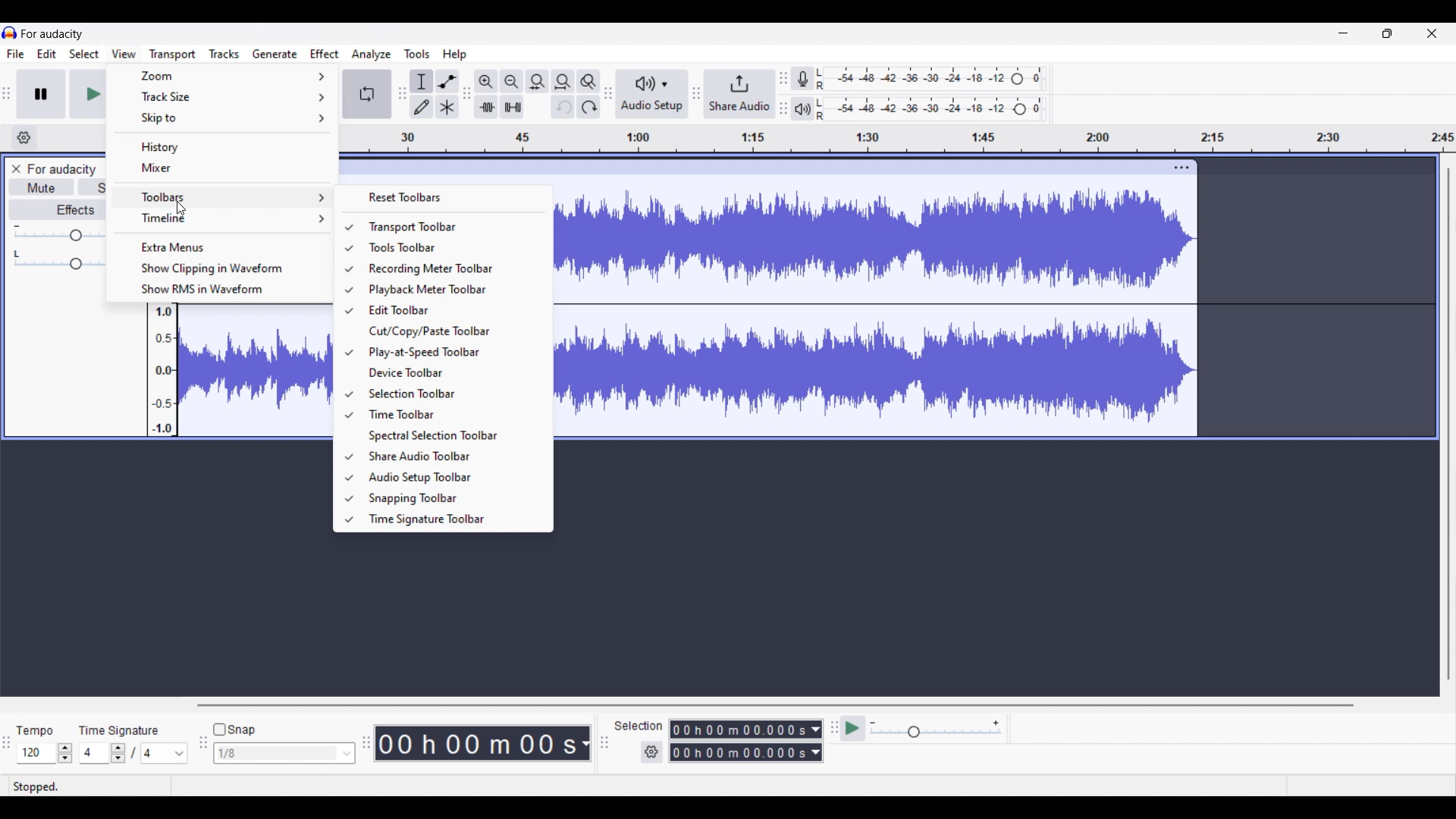  Describe the element at coordinates (86, 94) in the screenshot. I see `Play/Play once` at that location.